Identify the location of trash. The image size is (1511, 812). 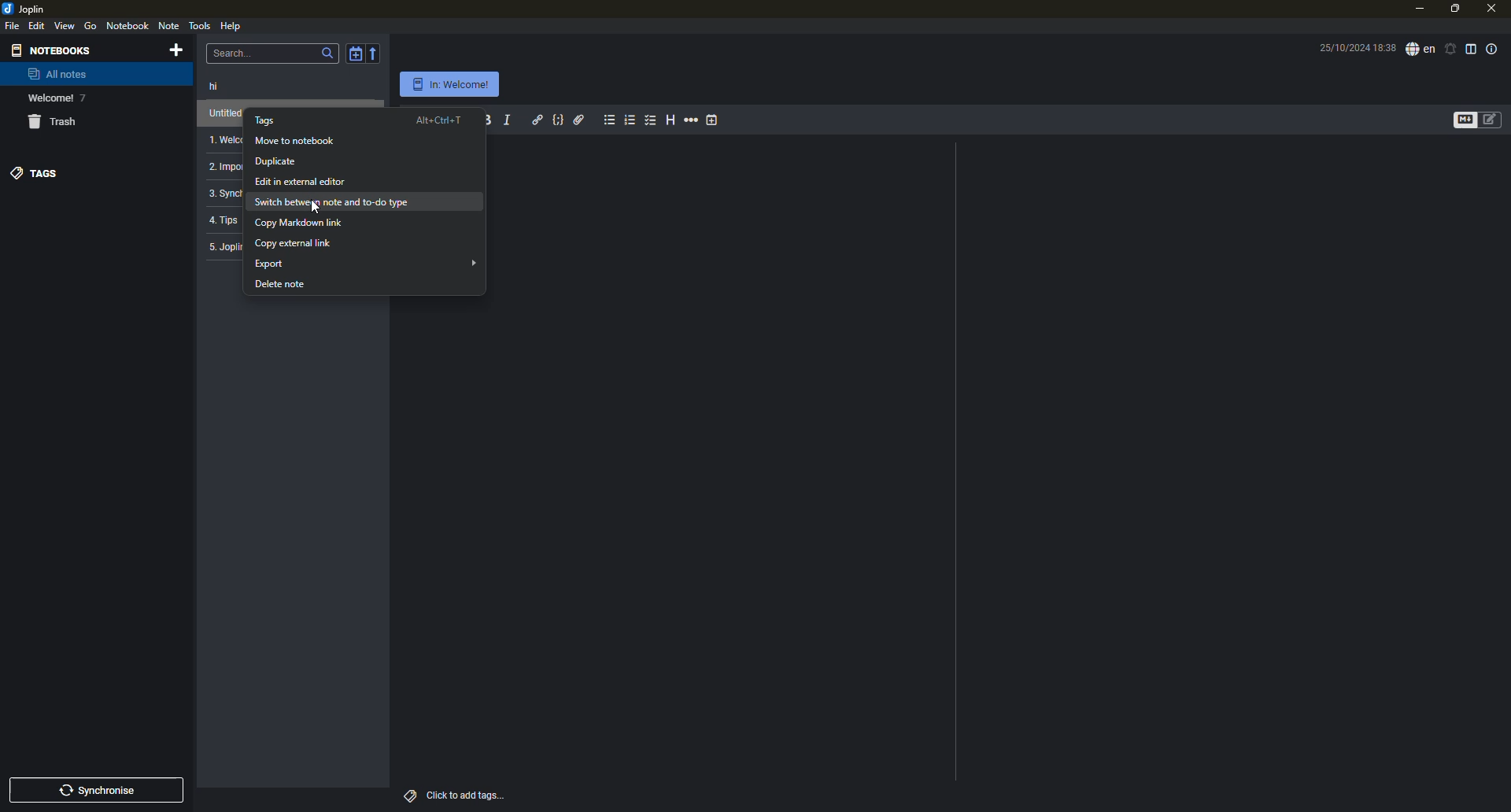
(50, 121).